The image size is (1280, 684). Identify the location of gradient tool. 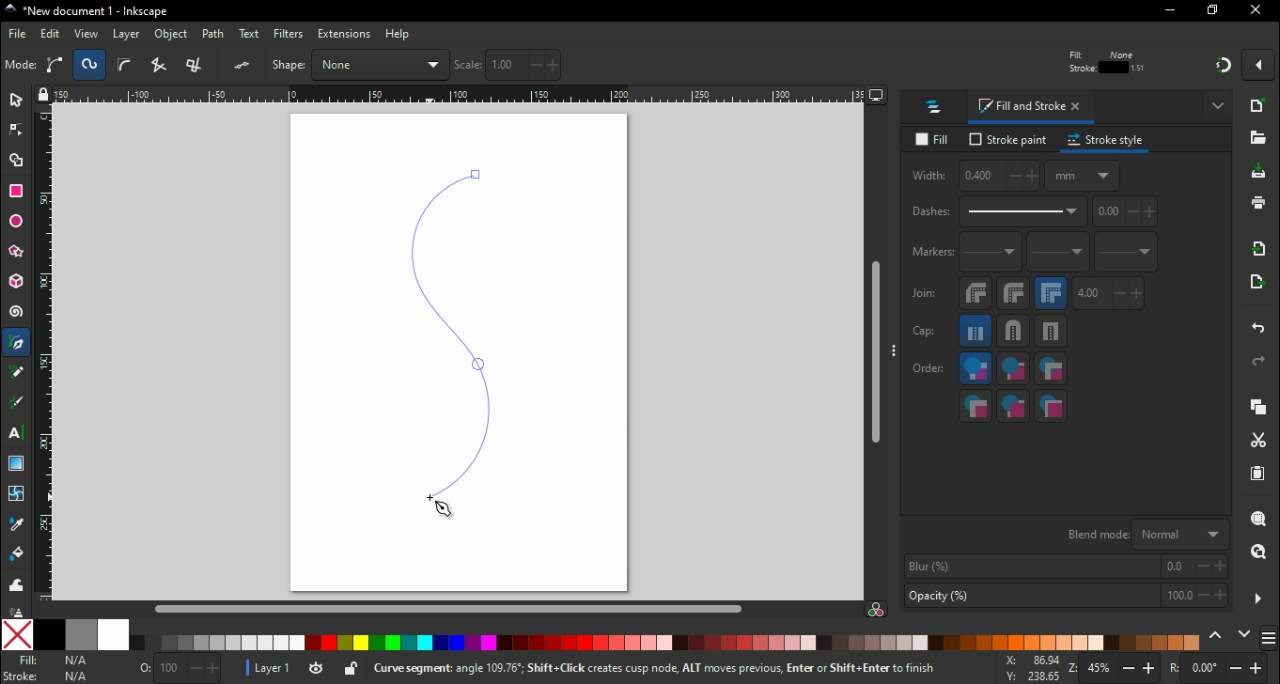
(18, 464).